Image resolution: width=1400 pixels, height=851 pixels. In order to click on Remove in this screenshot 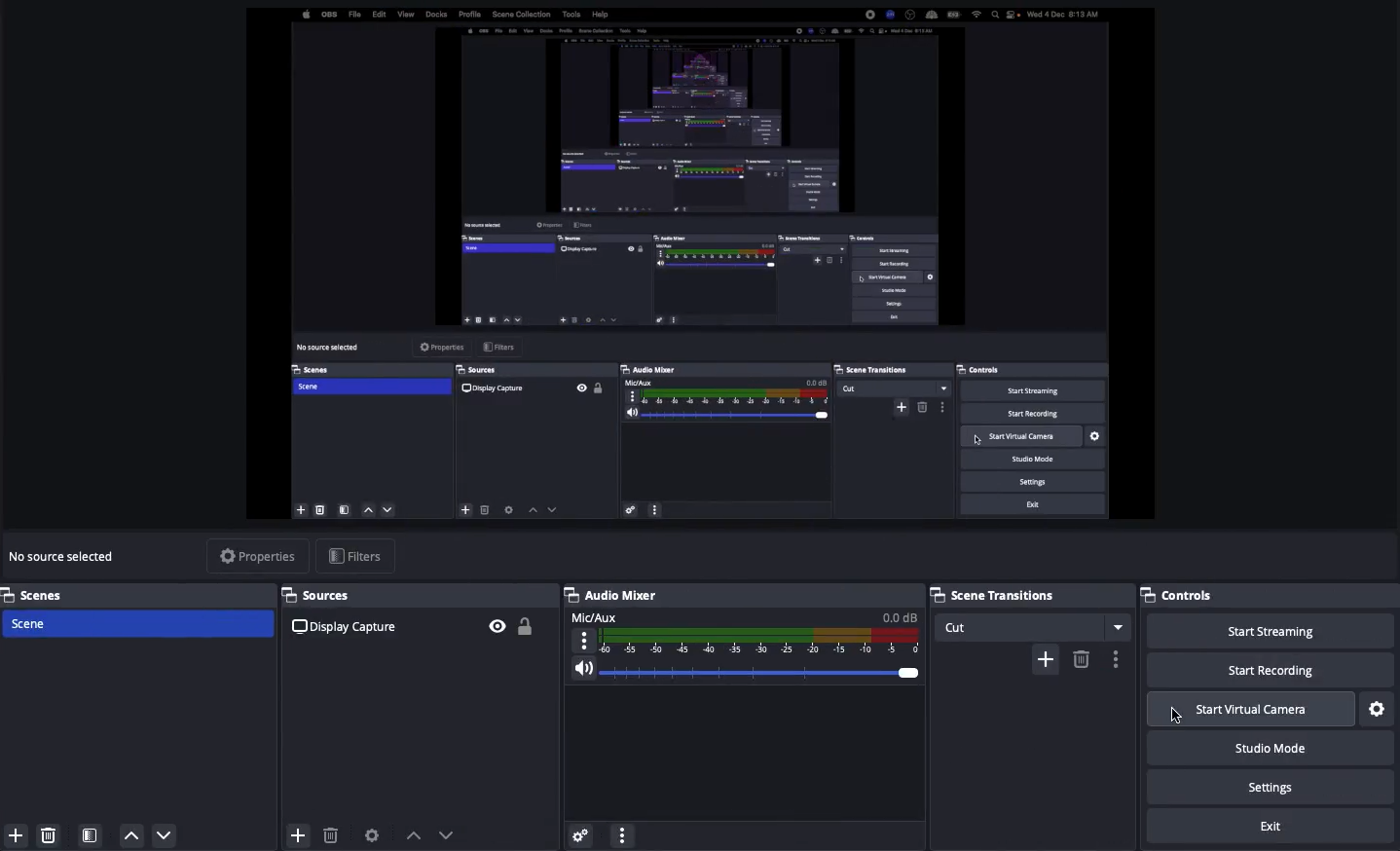, I will do `click(48, 834)`.